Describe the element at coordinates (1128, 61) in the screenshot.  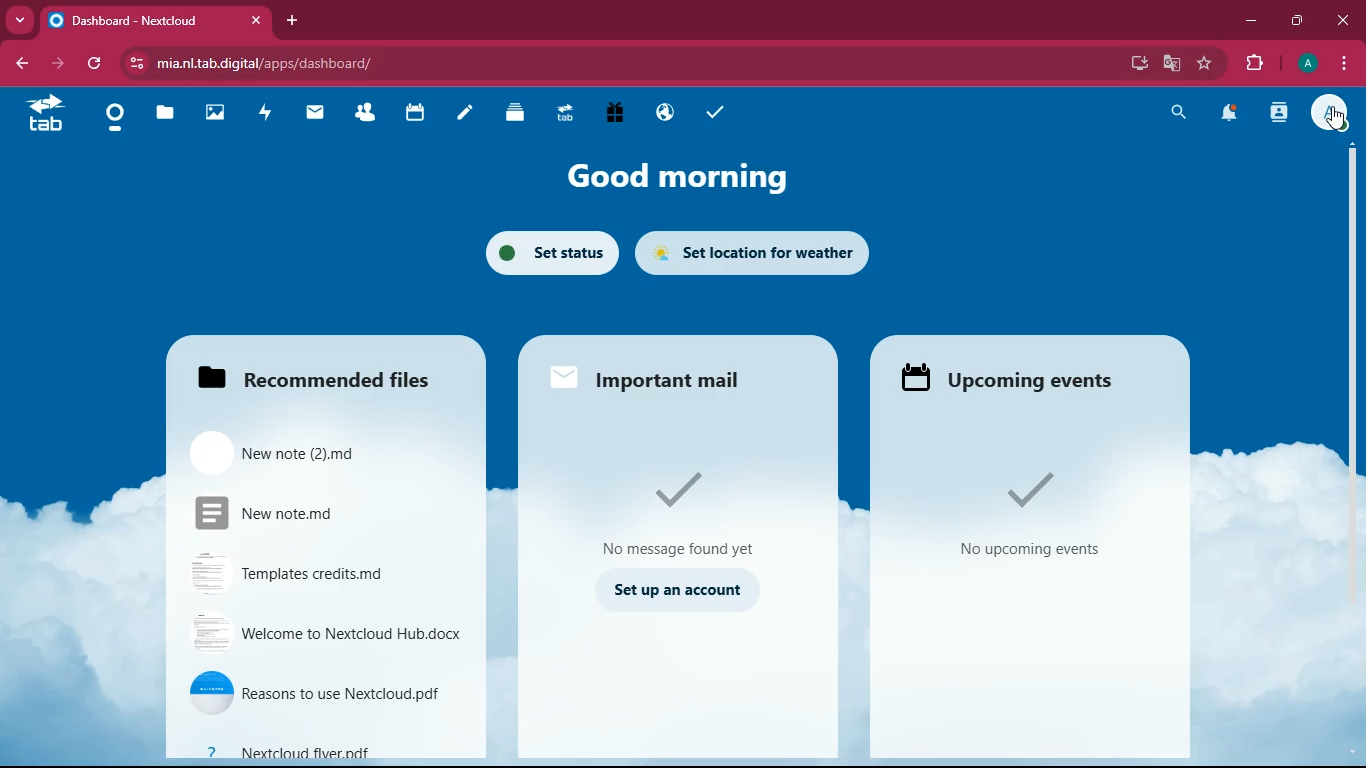
I see `desktop` at that location.